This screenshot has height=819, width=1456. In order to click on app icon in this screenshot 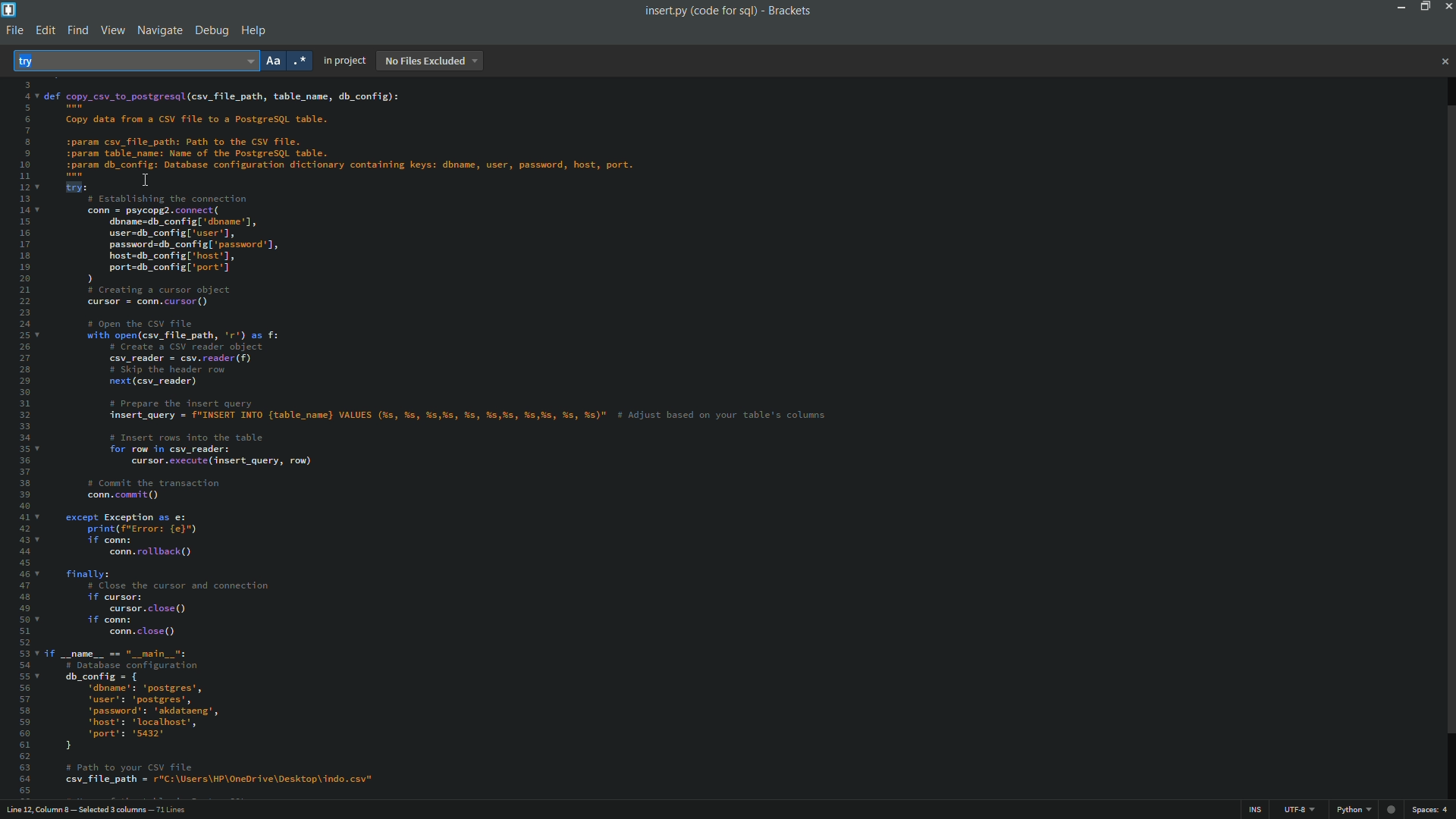, I will do `click(9, 10)`.